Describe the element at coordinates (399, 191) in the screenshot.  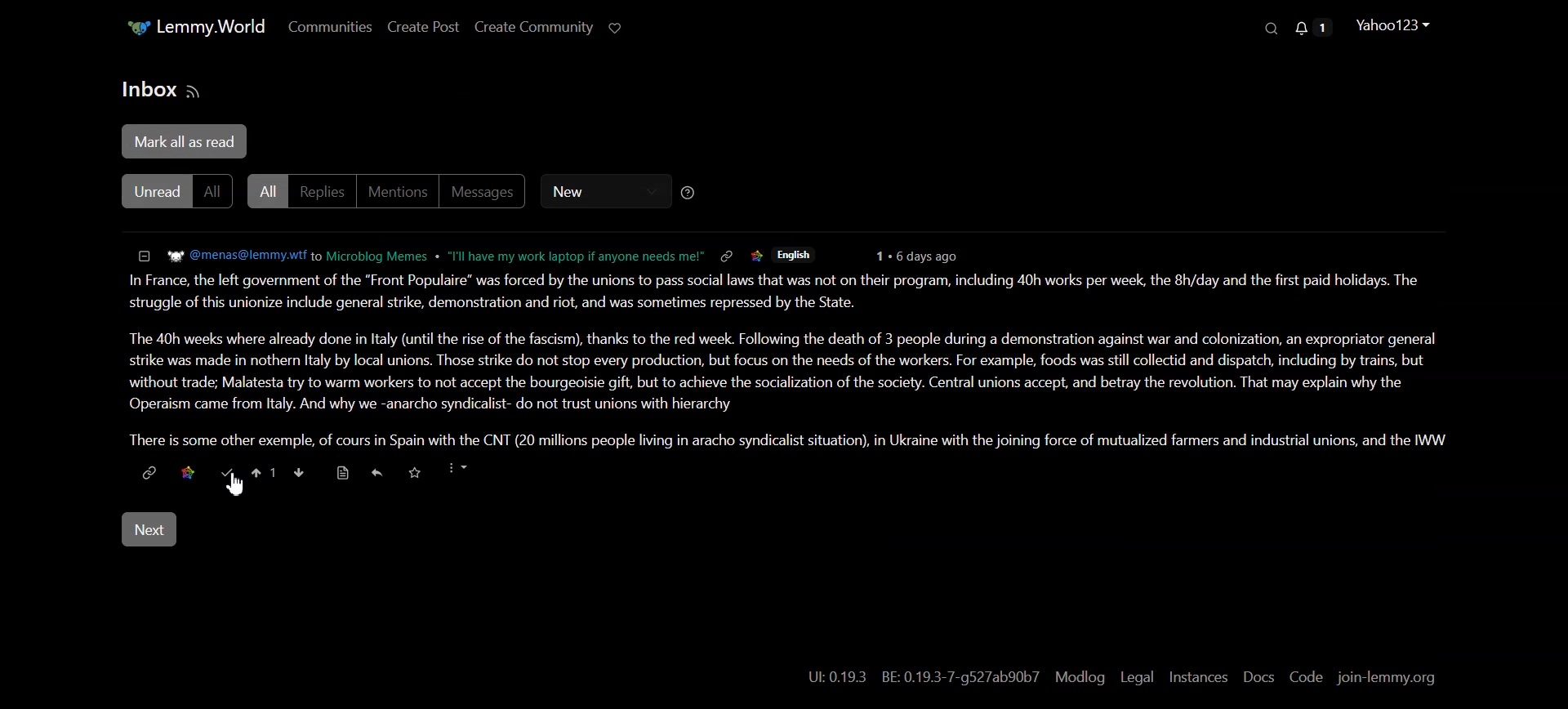
I see `Mentions` at that location.